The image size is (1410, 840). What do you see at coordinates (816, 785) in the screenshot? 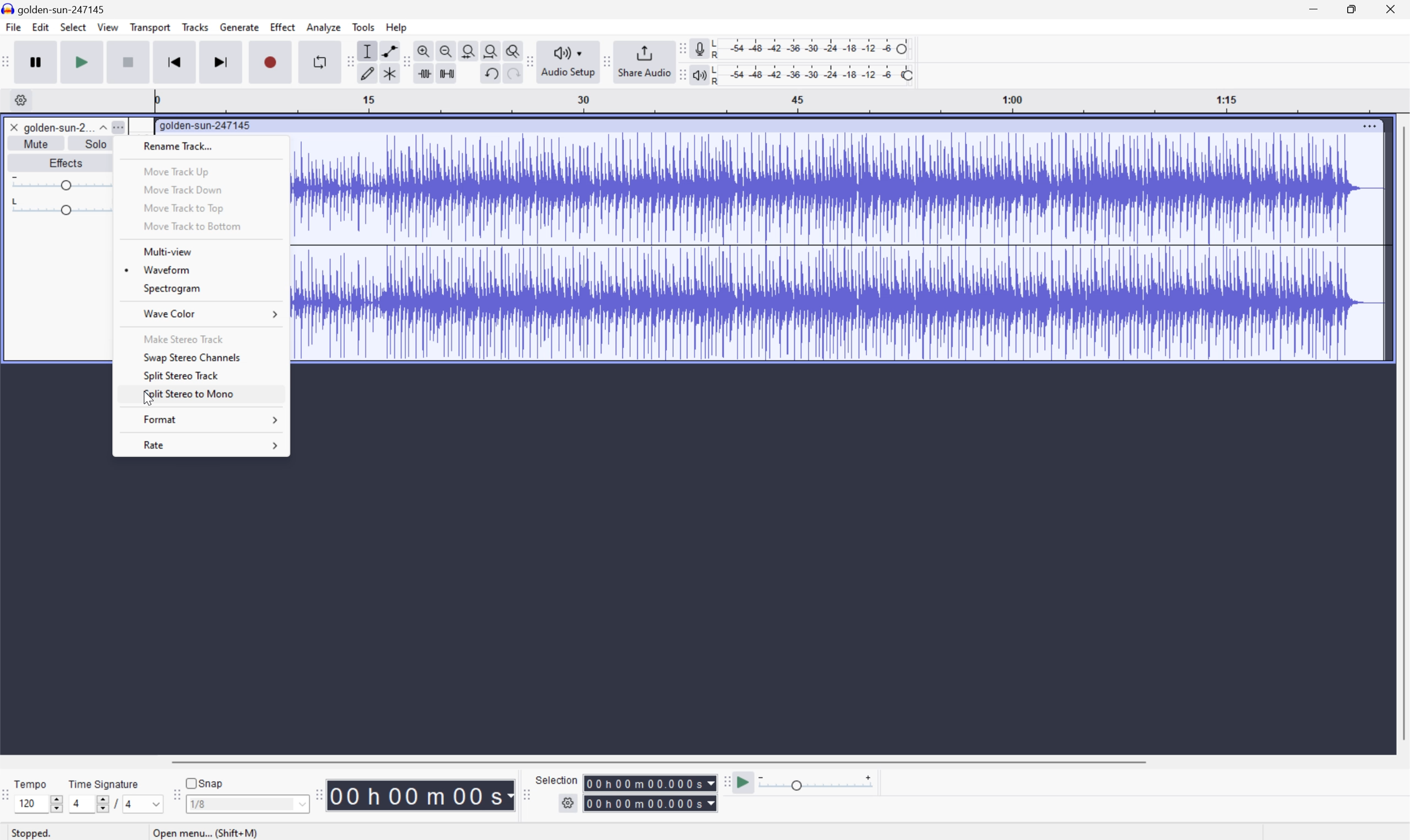
I see `Playback: 1.000 x` at bounding box center [816, 785].